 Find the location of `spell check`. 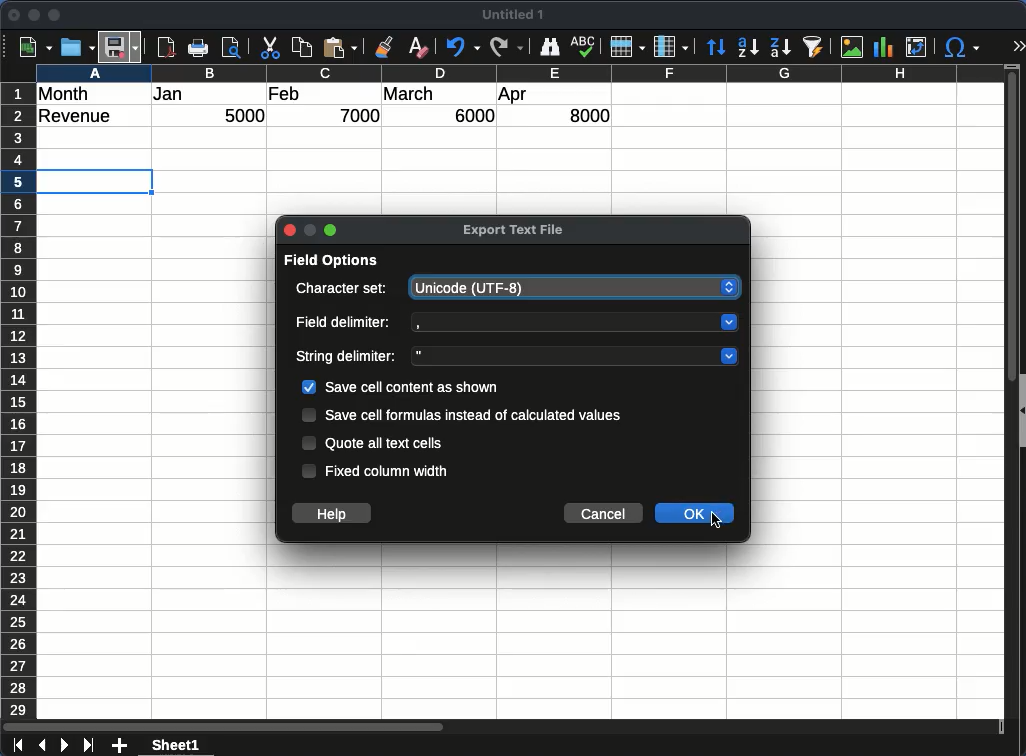

spell check is located at coordinates (584, 48).